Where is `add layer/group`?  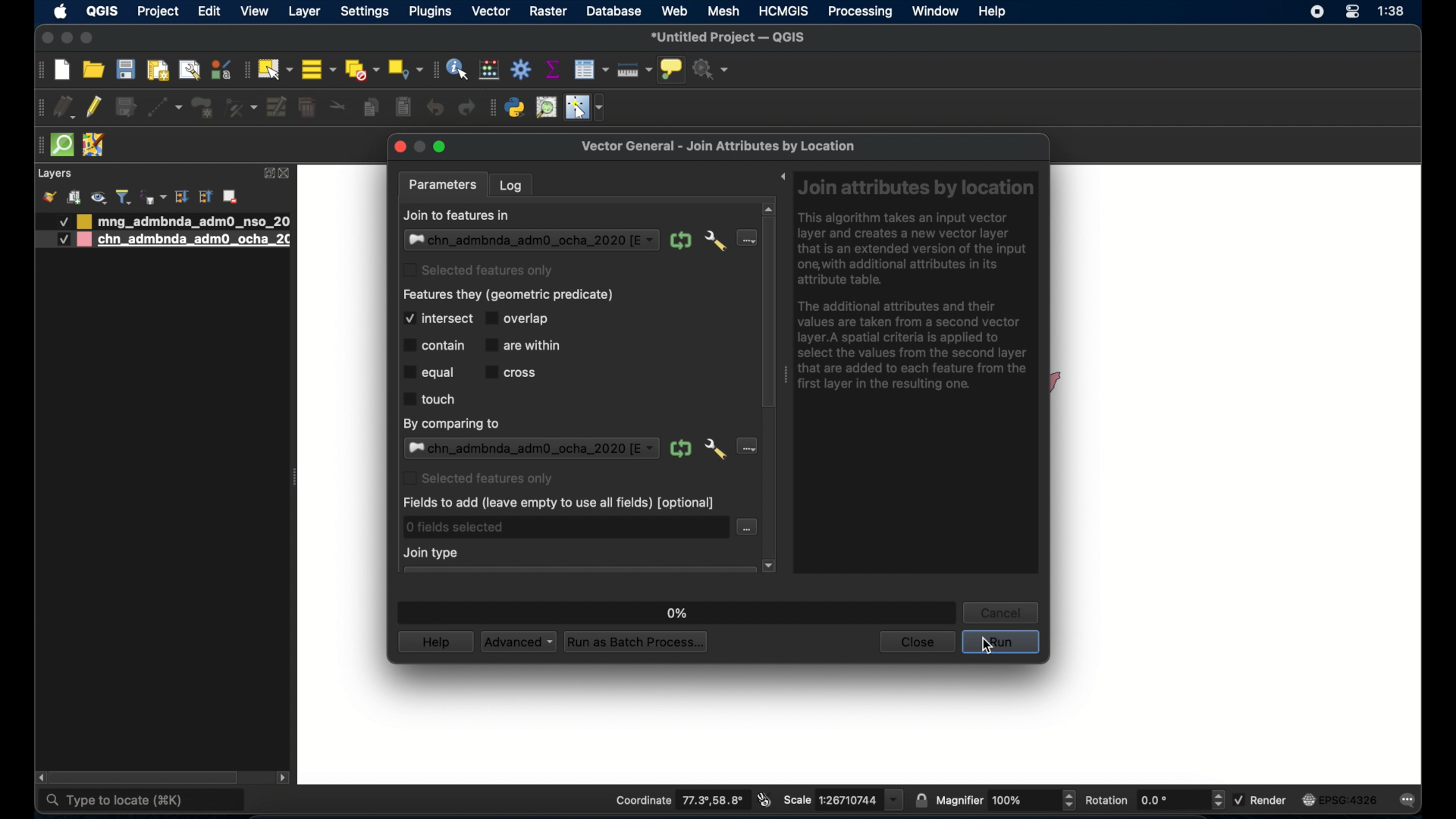
add layer/group is located at coordinates (230, 197).